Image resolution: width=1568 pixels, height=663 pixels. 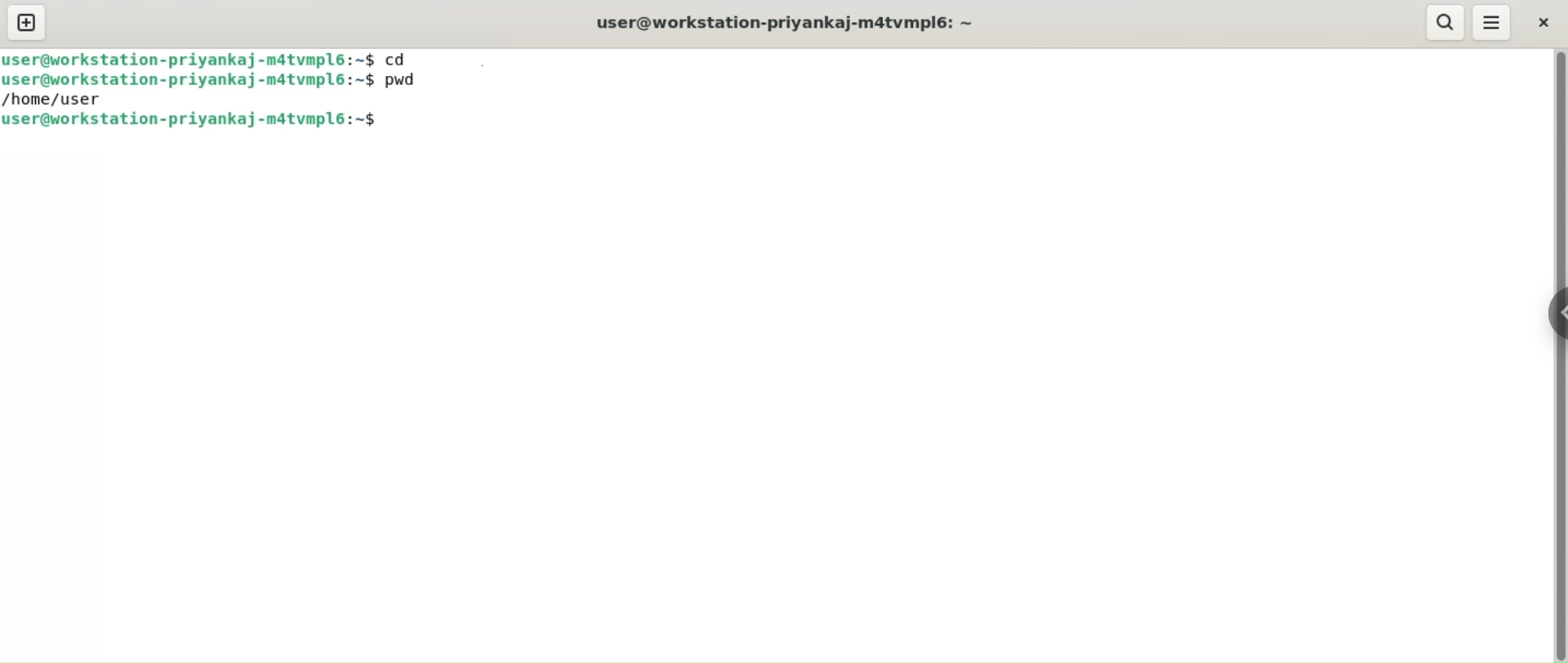 I want to click on user@workstation-priyankaj-m4atvmpl6:~$, so click(x=189, y=81).